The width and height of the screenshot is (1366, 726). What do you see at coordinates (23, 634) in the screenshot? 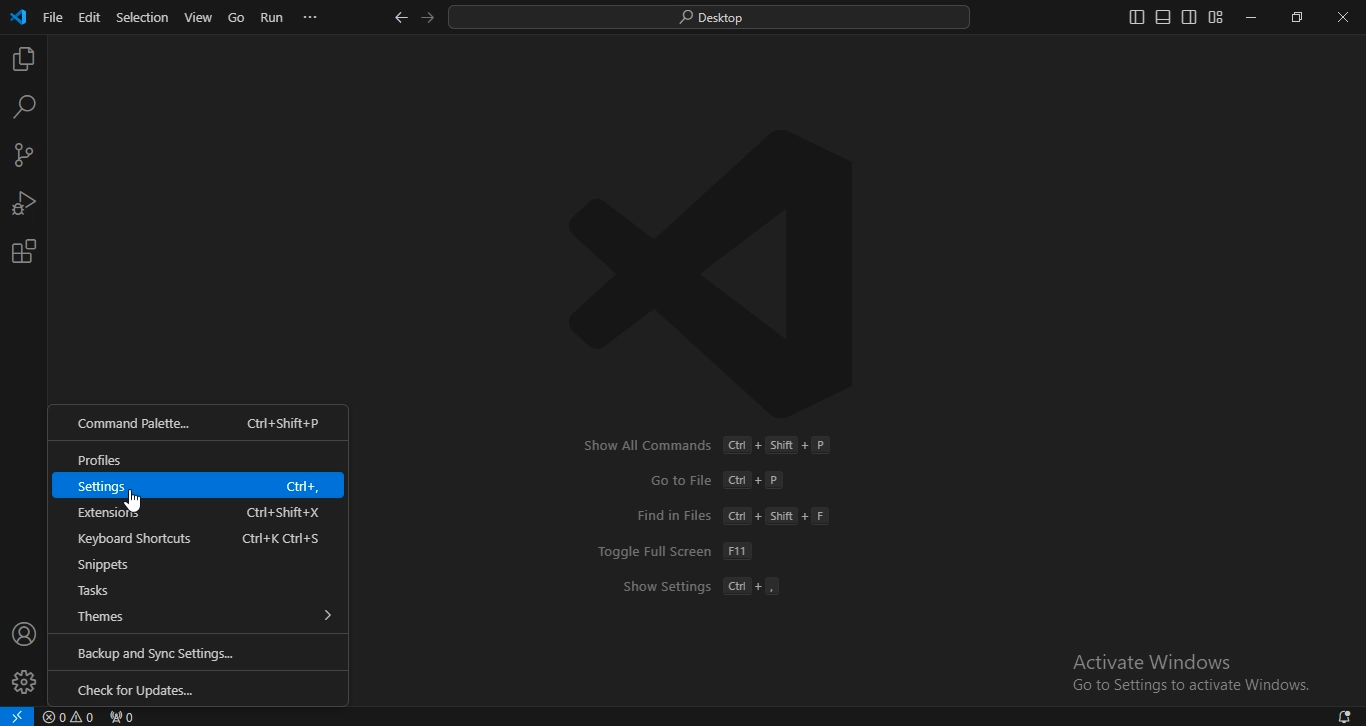
I see `accounts` at bounding box center [23, 634].